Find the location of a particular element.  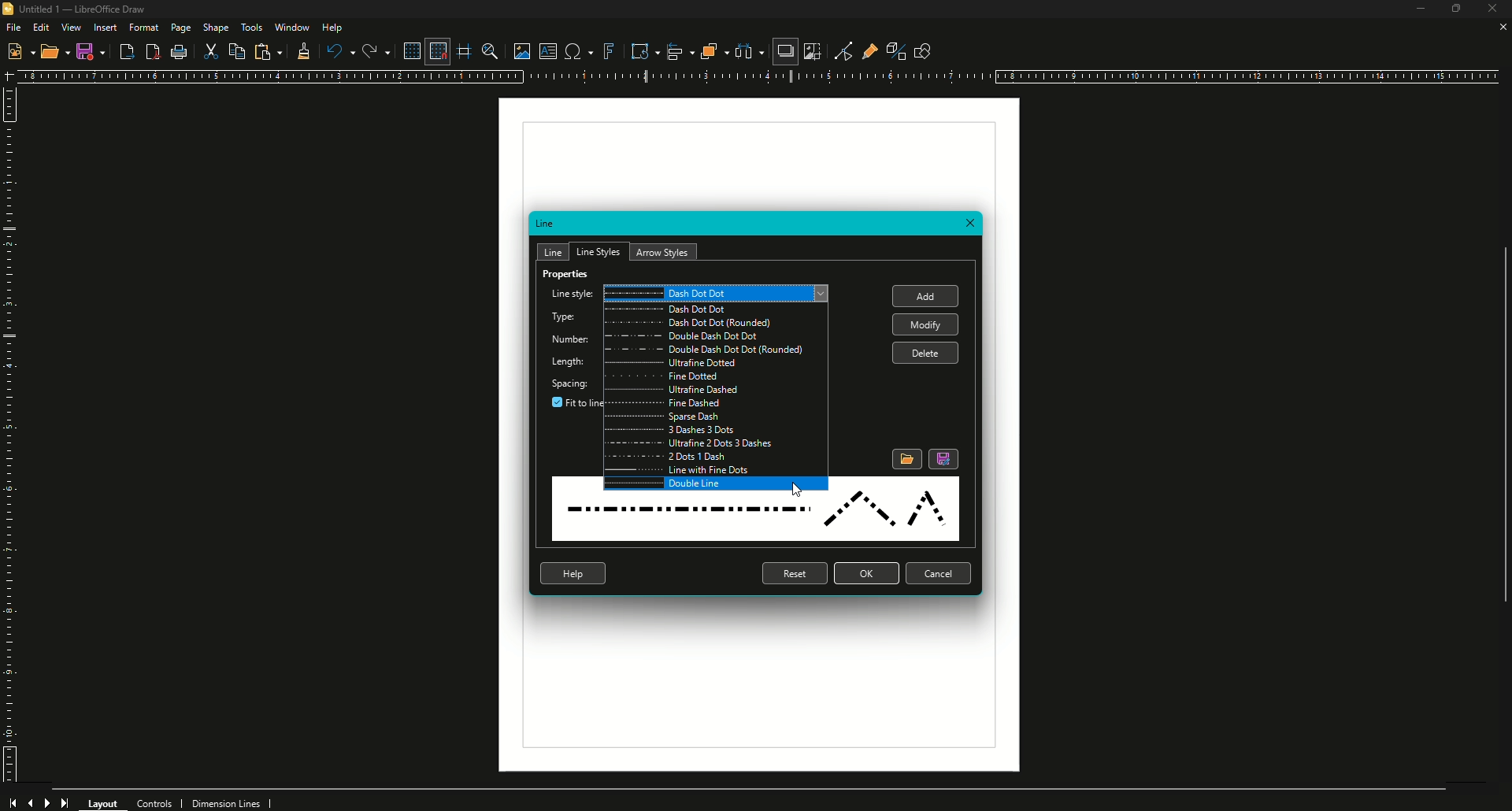

Untitled 1 - LibreOffice Draw is located at coordinates (80, 9).